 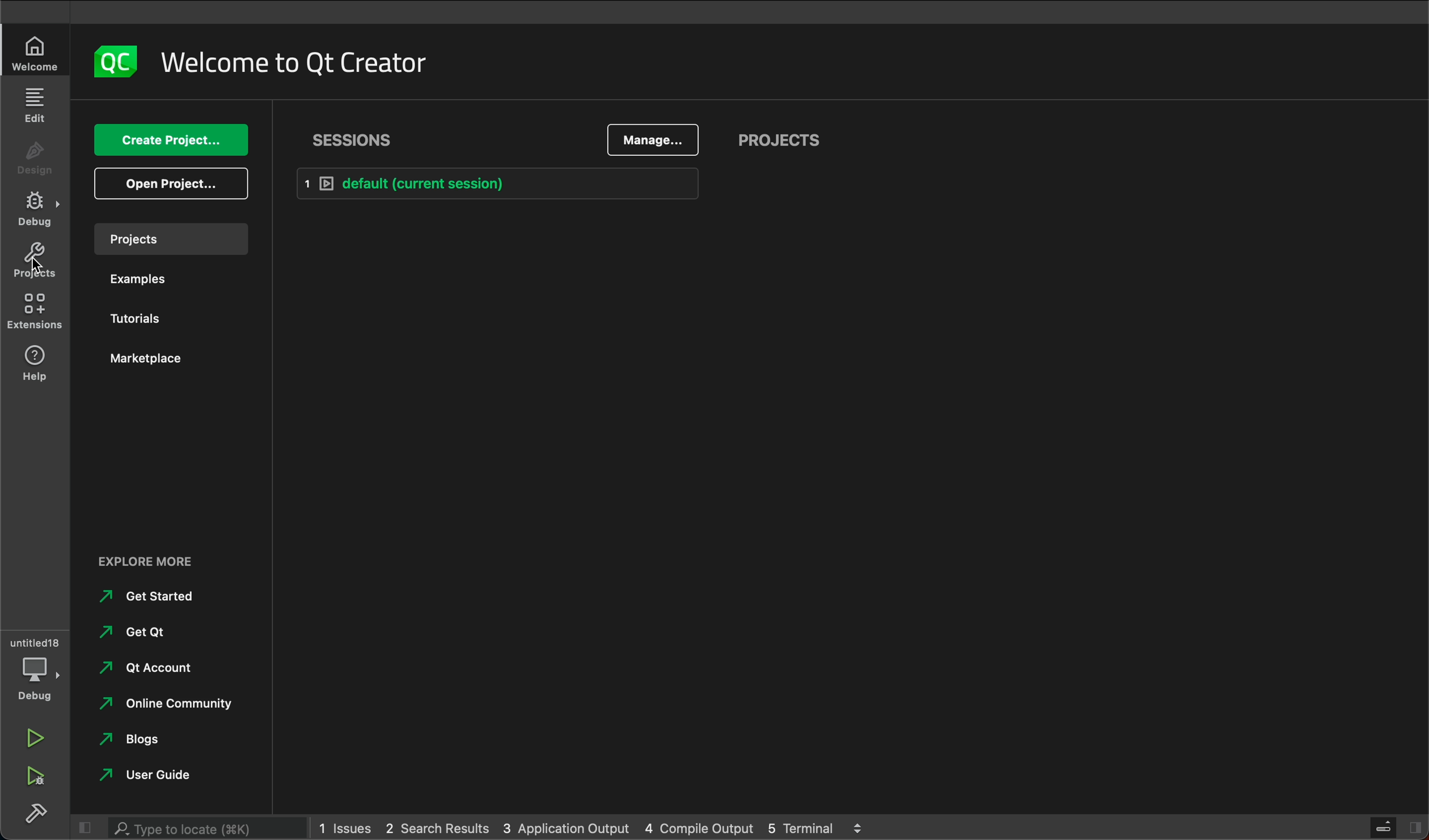 What do you see at coordinates (340, 826) in the screenshot?
I see `1 Issues` at bounding box center [340, 826].